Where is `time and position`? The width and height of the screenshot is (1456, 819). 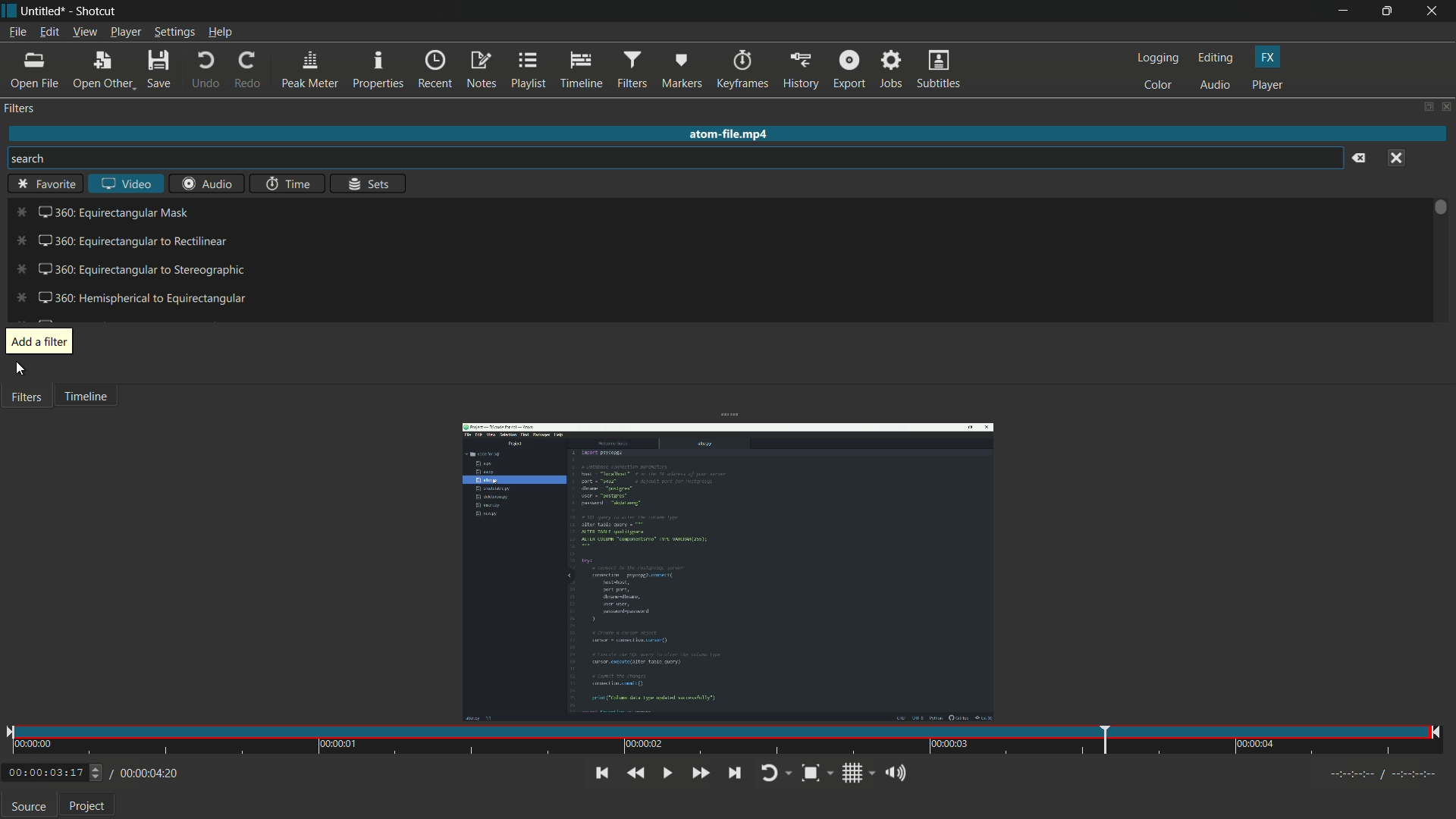 time and position is located at coordinates (725, 741).